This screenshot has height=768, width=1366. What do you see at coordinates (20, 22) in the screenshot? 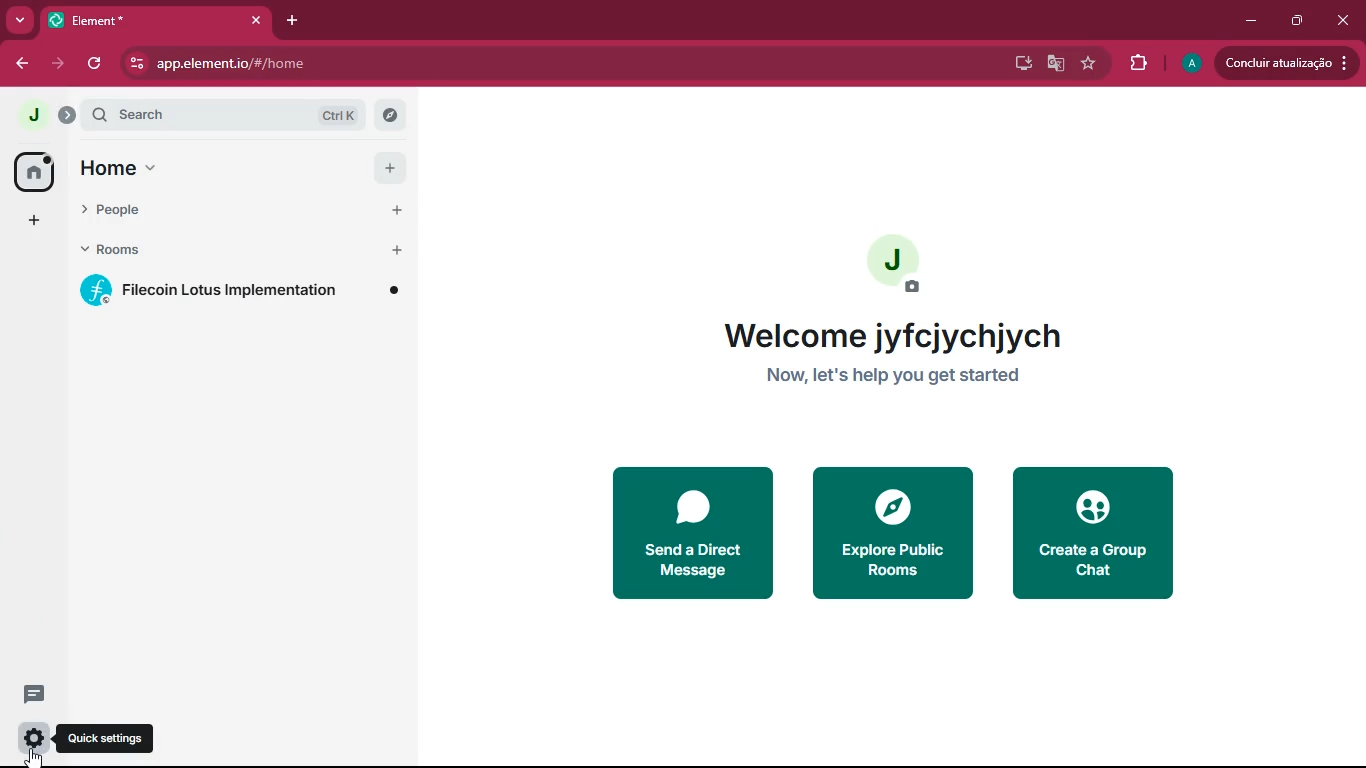
I see `more` at bounding box center [20, 22].